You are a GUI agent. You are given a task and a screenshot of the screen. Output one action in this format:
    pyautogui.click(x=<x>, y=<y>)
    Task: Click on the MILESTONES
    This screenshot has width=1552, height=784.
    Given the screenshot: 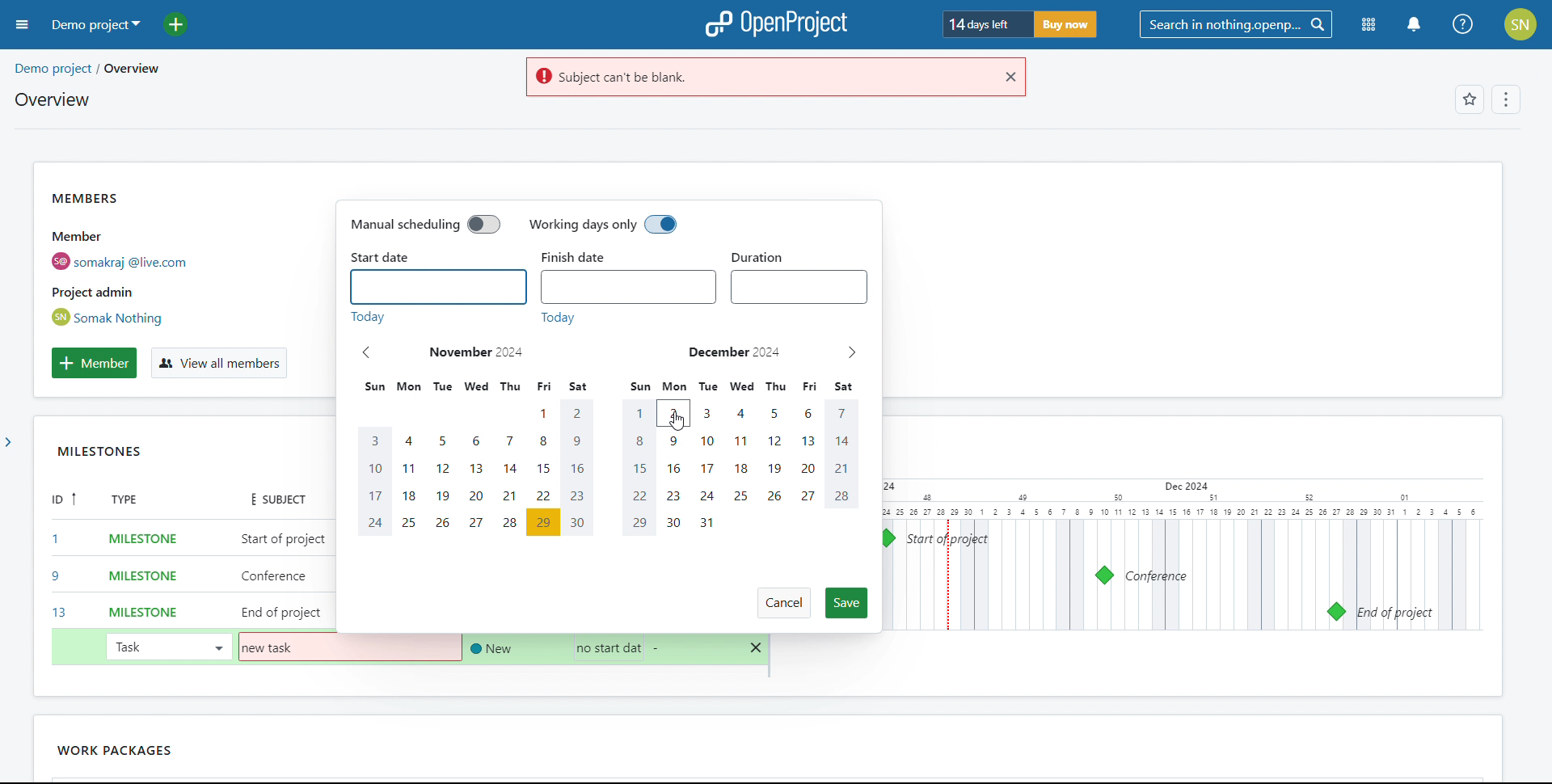 What is the action you would take?
    pyautogui.click(x=115, y=454)
    